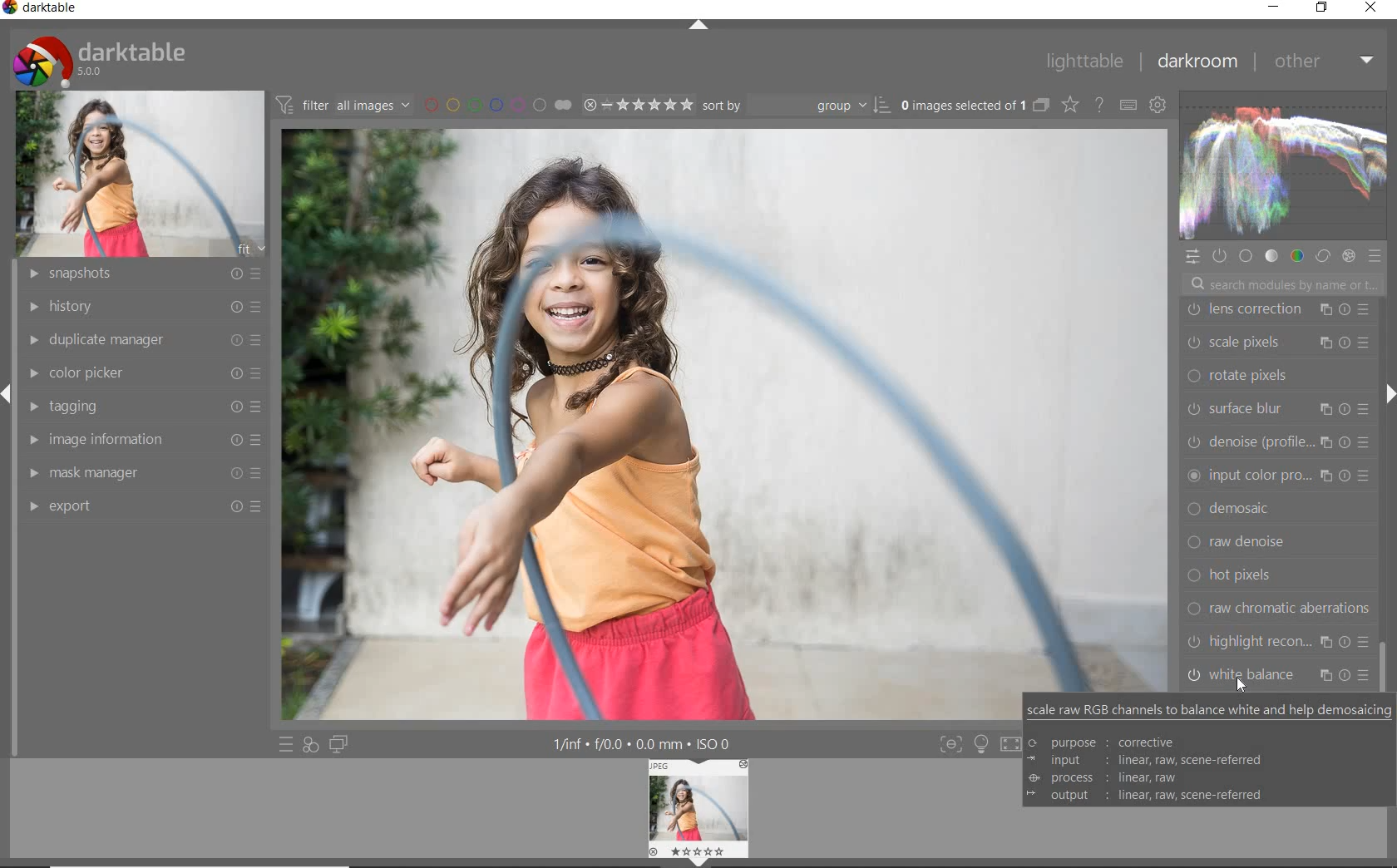  Describe the element at coordinates (1084, 62) in the screenshot. I see `lighttable` at that location.